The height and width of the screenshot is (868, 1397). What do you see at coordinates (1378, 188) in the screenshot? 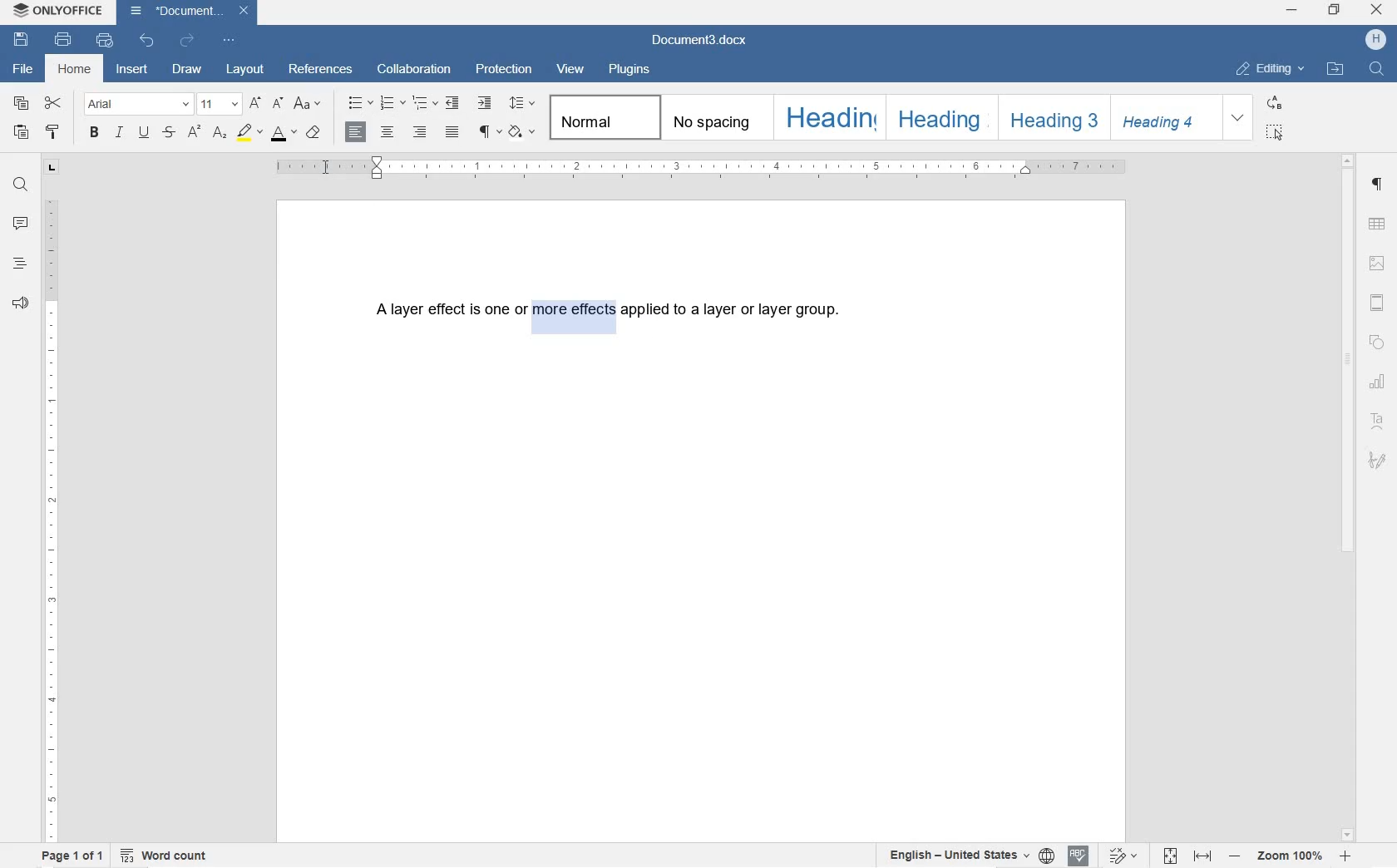
I see `PARAGRAPH SETTINGS` at bounding box center [1378, 188].